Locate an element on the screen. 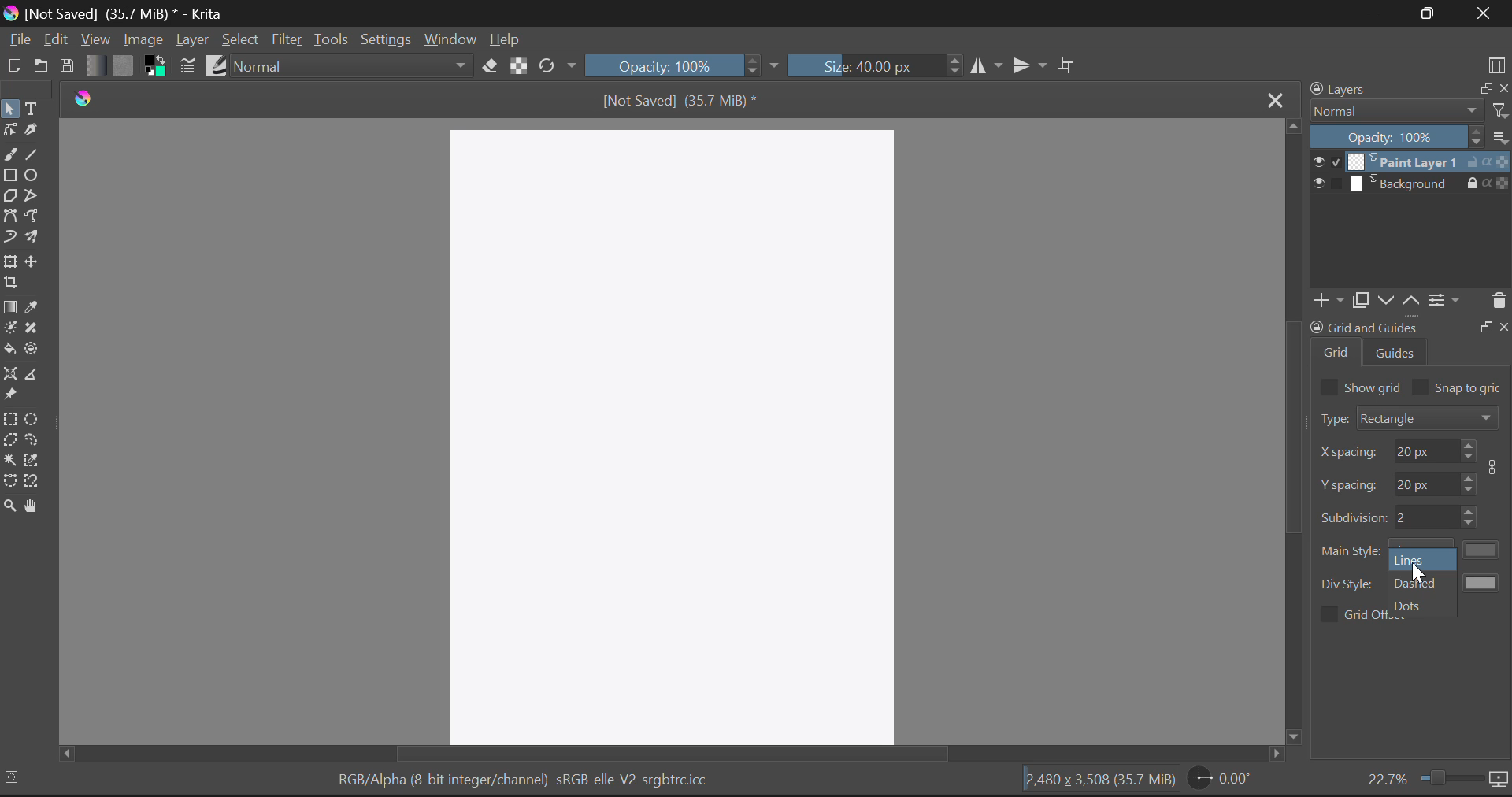 The image size is (1512, 797). Choose Workspace is located at coordinates (1496, 64).